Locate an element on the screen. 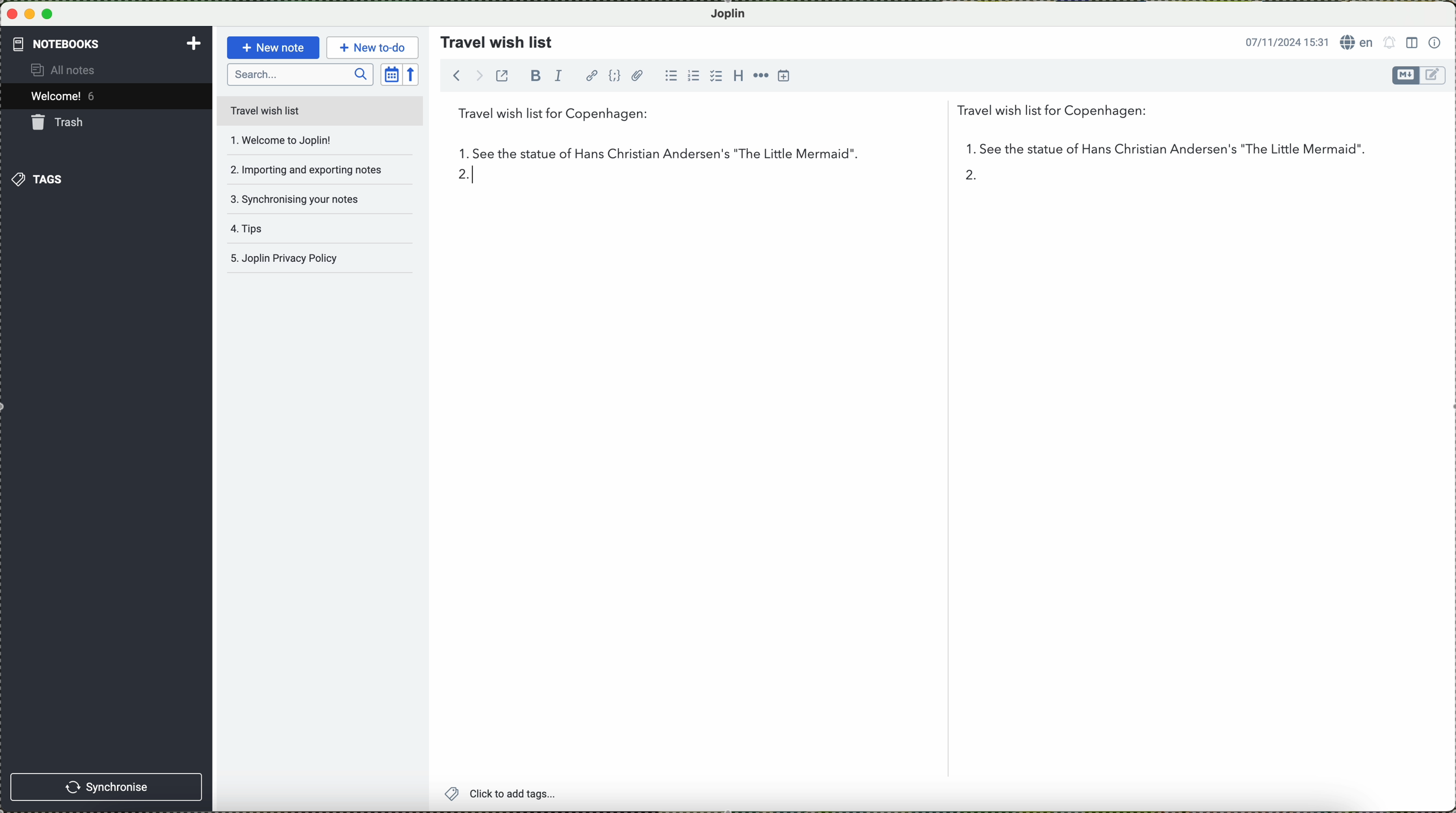 Image resolution: width=1456 pixels, height=813 pixels. welcome to joplin is located at coordinates (302, 141).